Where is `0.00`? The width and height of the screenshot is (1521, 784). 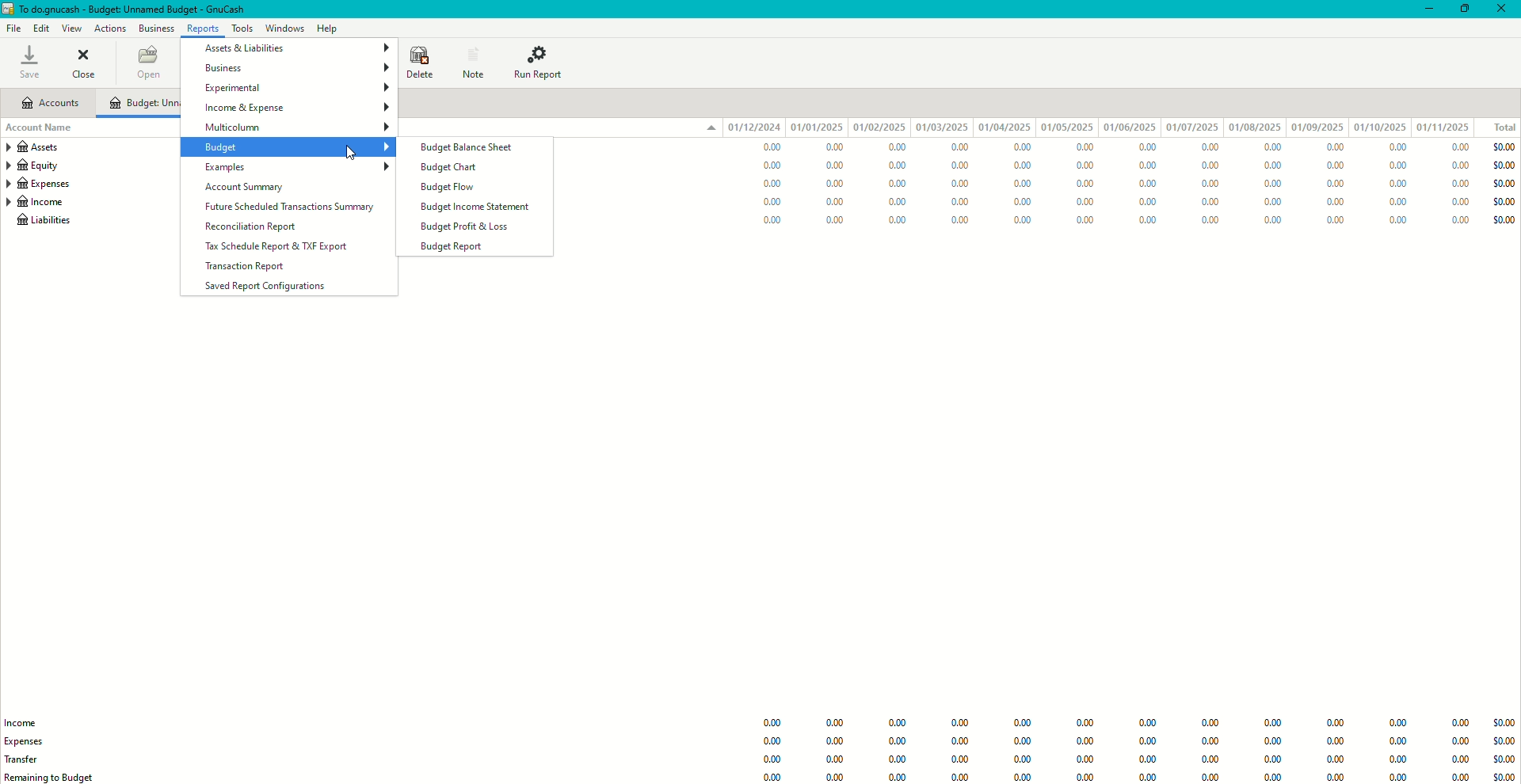
0.00 is located at coordinates (1149, 742).